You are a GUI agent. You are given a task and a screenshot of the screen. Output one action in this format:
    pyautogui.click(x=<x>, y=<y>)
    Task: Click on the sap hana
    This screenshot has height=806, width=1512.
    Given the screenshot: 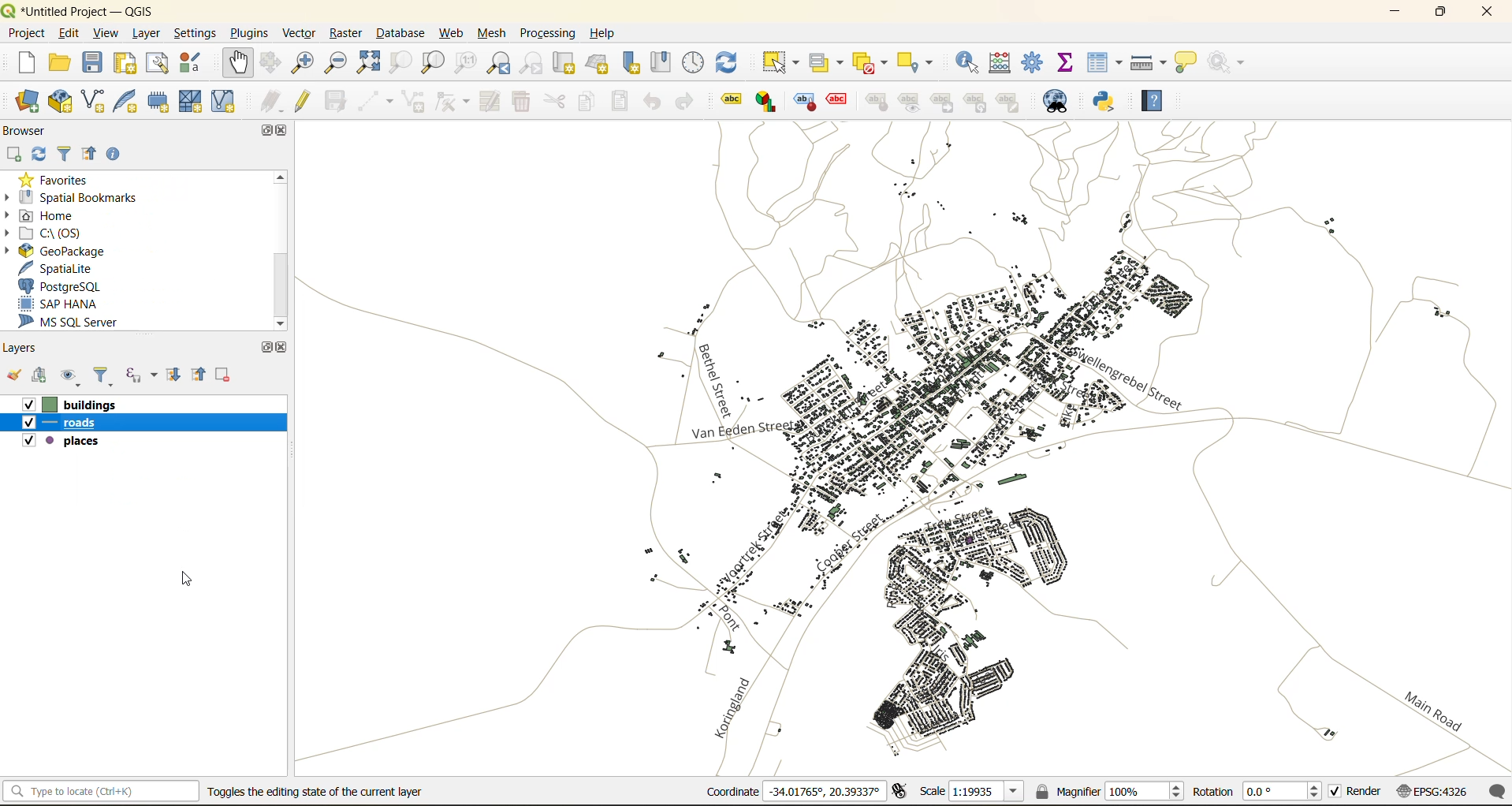 What is the action you would take?
    pyautogui.click(x=61, y=303)
    